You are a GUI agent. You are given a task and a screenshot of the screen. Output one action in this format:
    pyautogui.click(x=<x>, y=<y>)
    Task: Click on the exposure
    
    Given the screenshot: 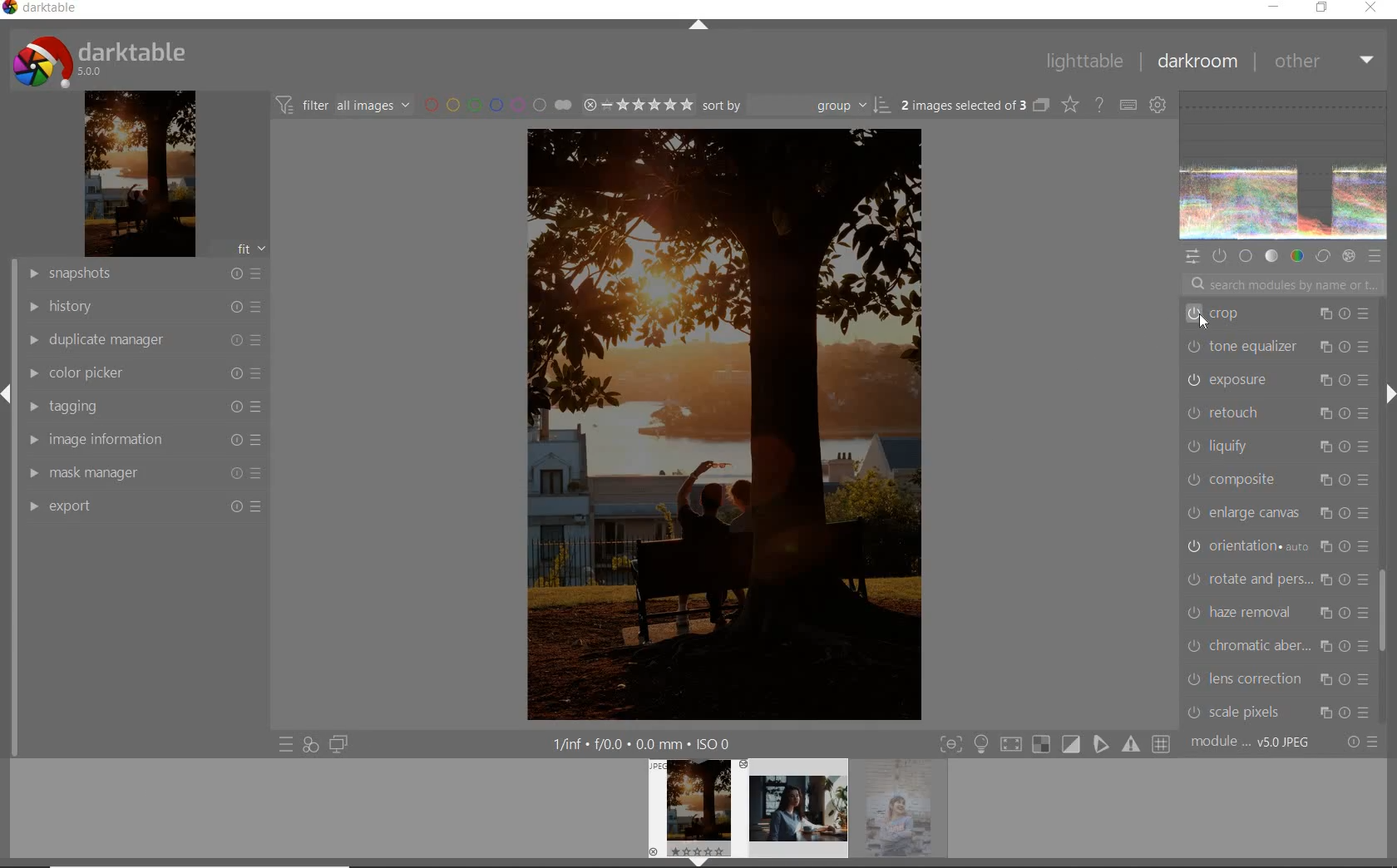 What is the action you would take?
    pyautogui.click(x=1276, y=382)
    